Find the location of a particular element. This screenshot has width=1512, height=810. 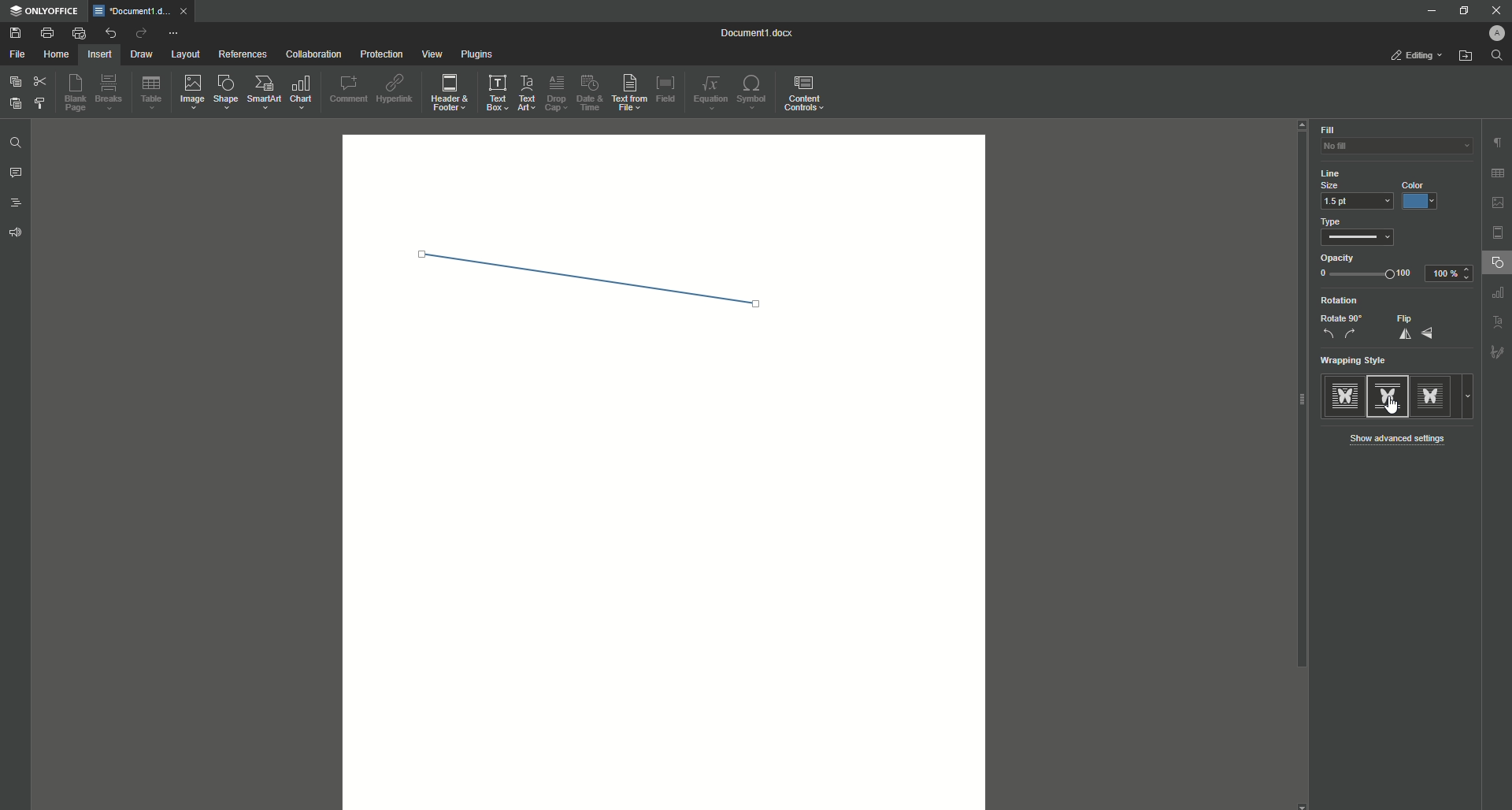

picture is located at coordinates (1497, 202).